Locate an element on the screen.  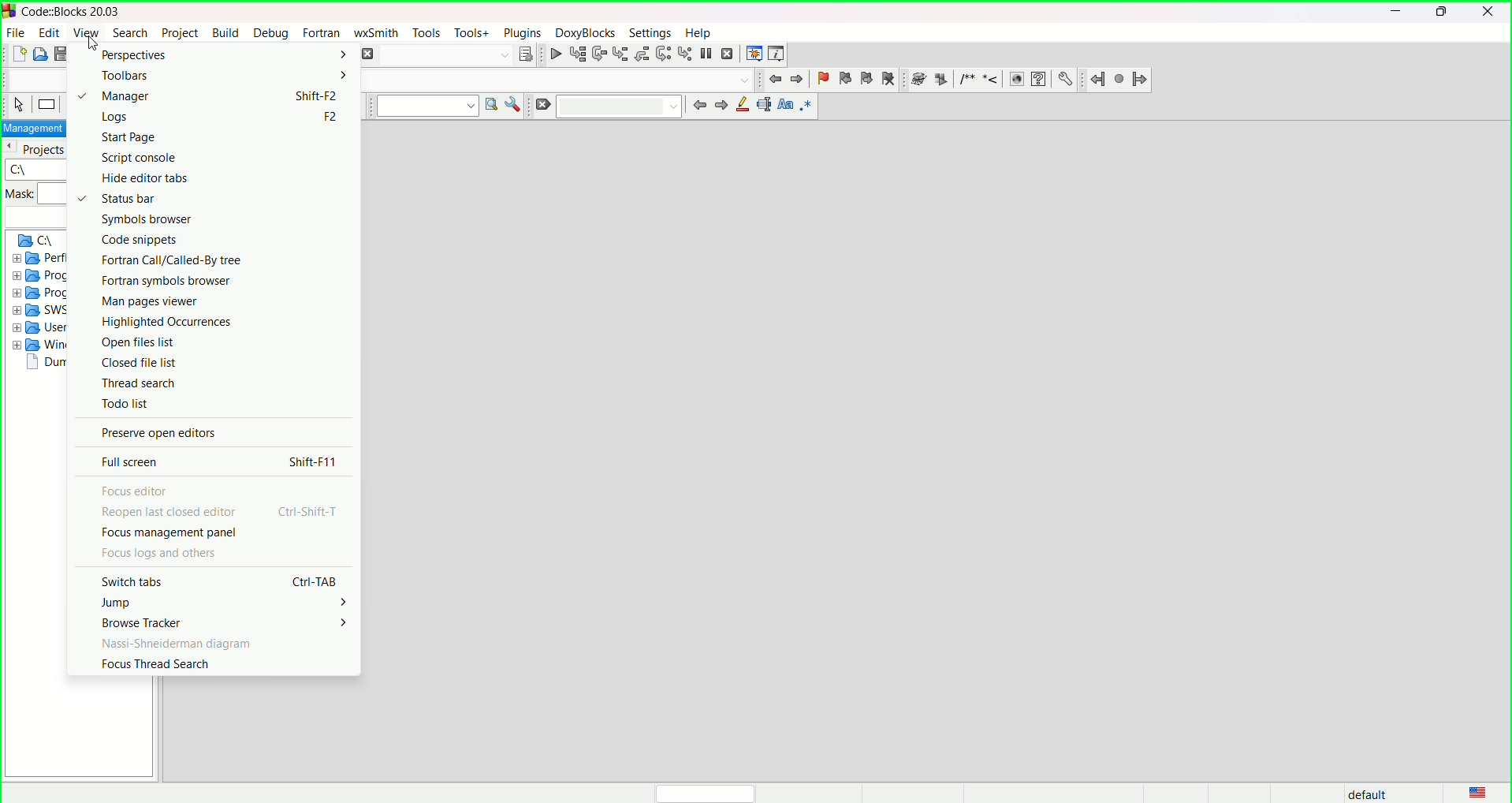
selected text is located at coordinates (765, 104).